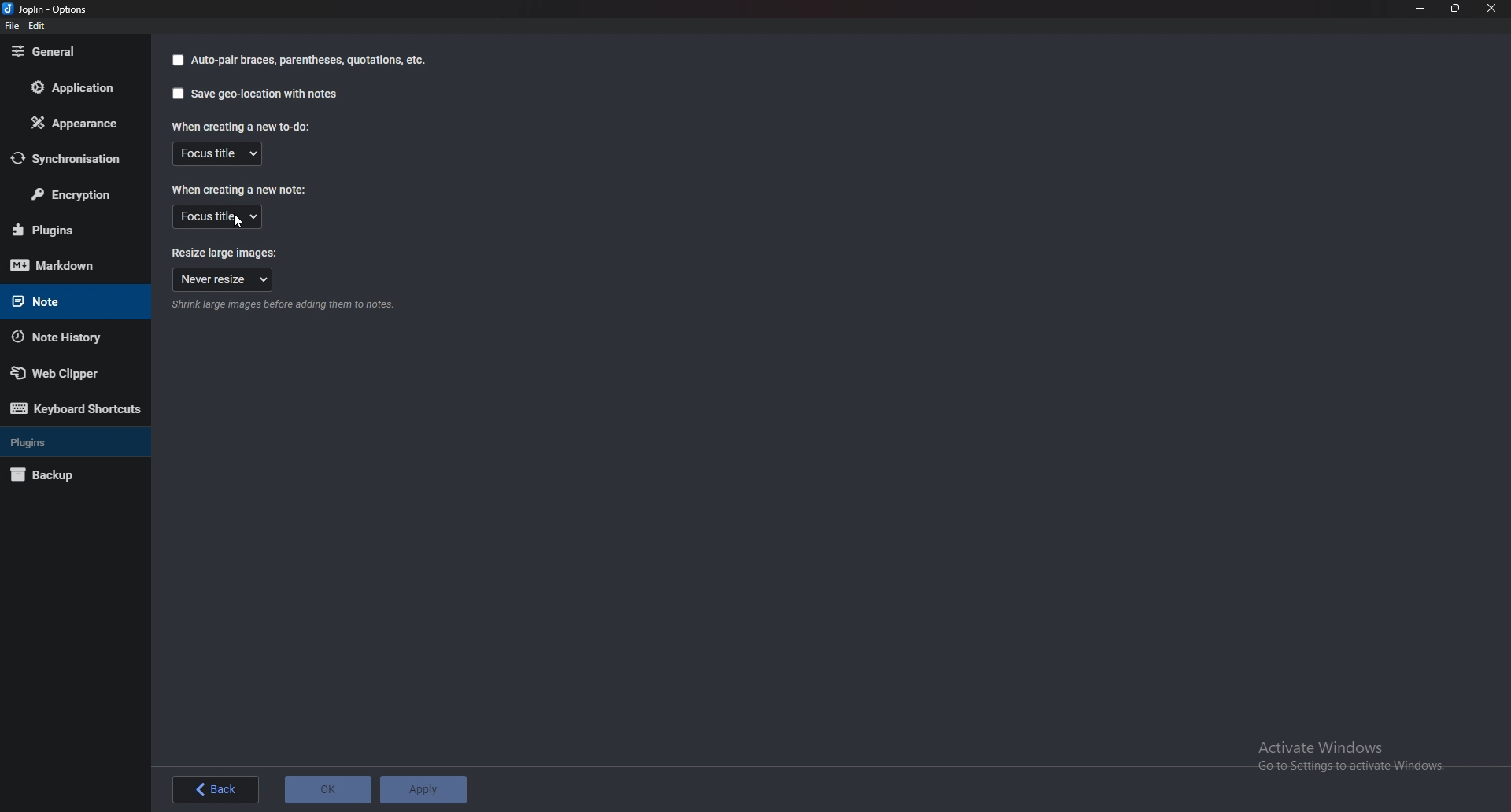 Image resolution: width=1511 pixels, height=812 pixels. What do you see at coordinates (14, 27) in the screenshot?
I see `File` at bounding box center [14, 27].